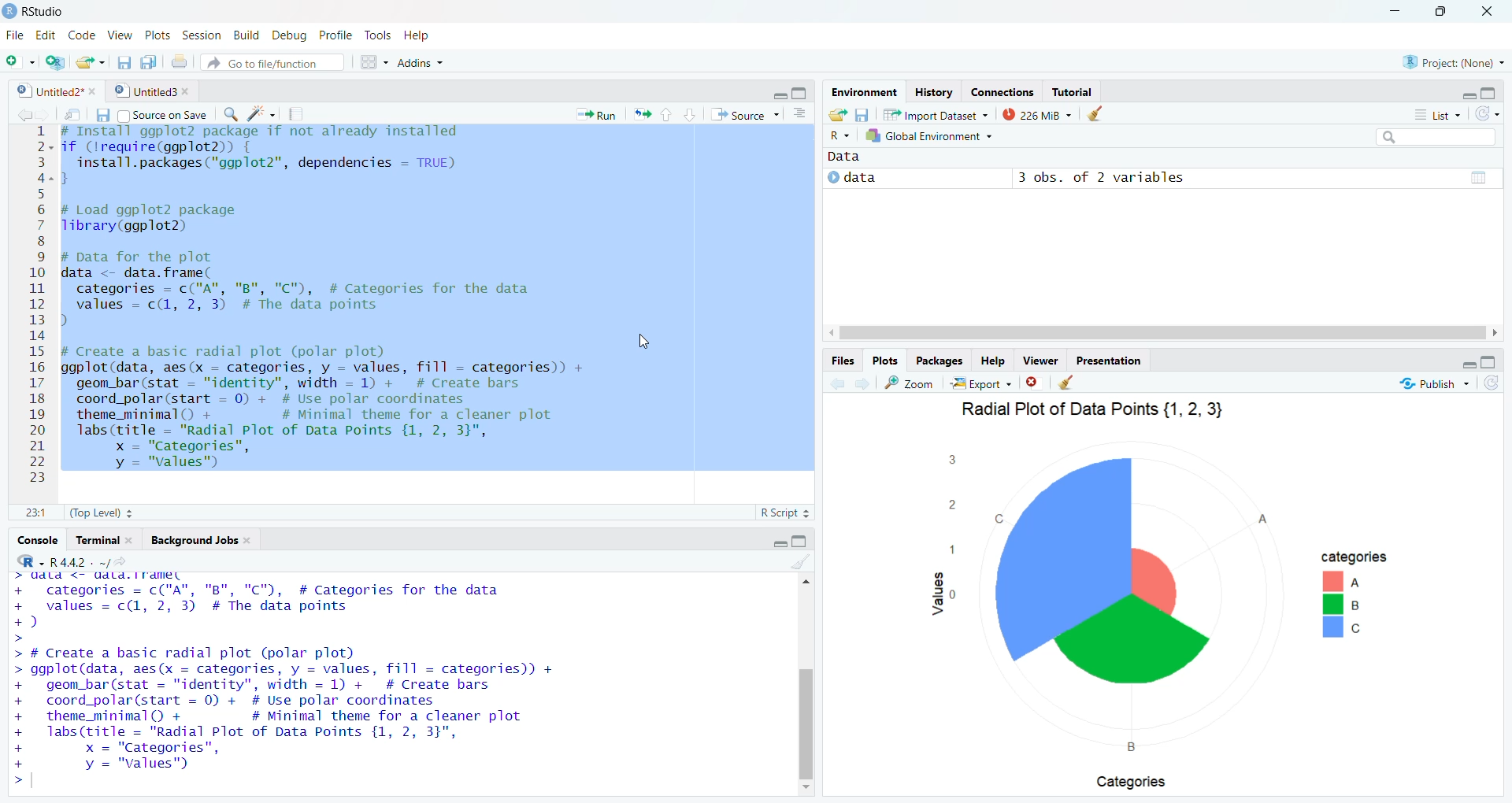 The height and width of the screenshot is (803, 1512). I want to click on Presentation, so click(1110, 359).